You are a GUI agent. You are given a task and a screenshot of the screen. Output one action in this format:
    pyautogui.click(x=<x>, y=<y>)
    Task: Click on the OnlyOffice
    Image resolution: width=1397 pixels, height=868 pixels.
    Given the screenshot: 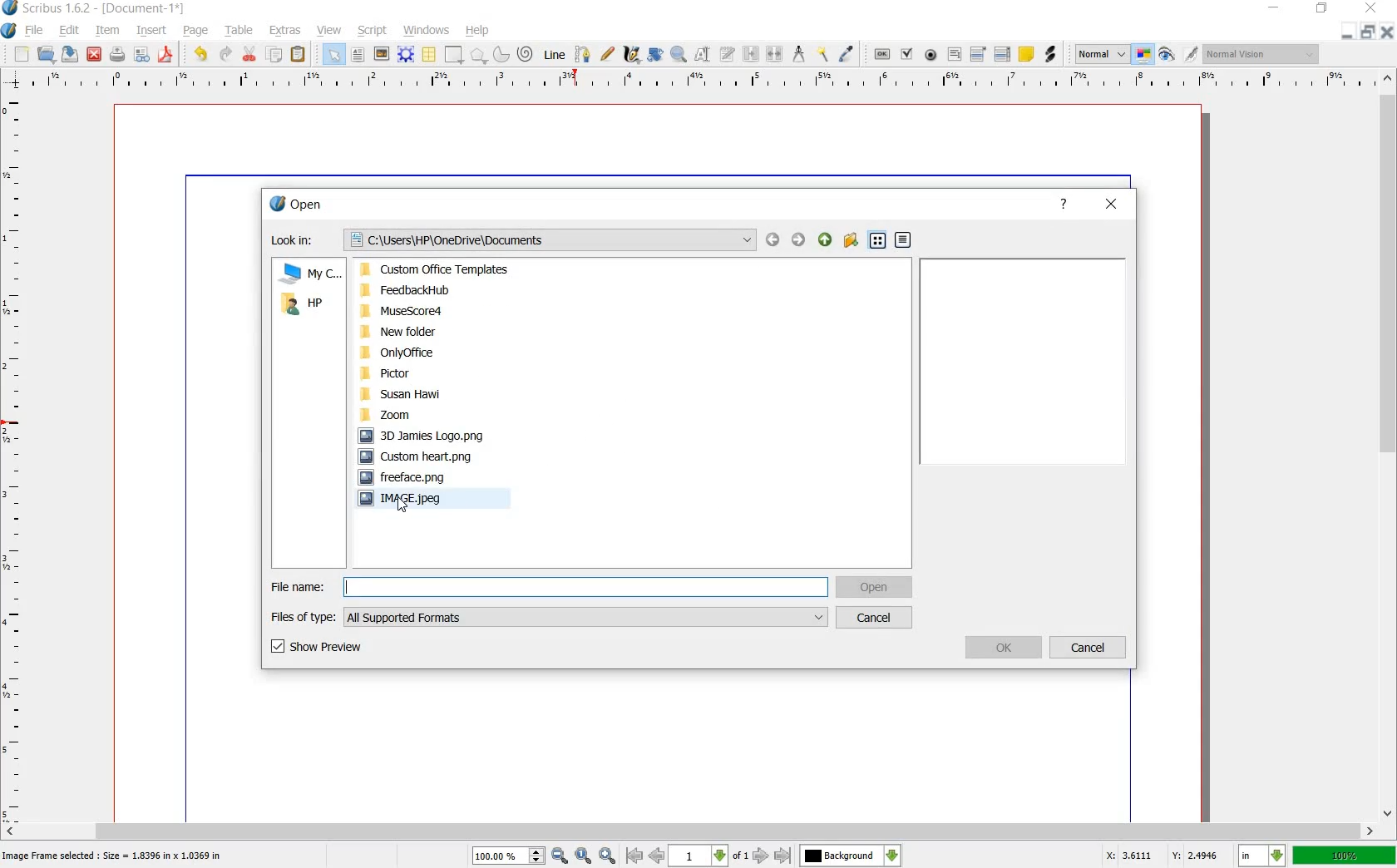 What is the action you would take?
    pyautogui.click(x=403, y=353)
    